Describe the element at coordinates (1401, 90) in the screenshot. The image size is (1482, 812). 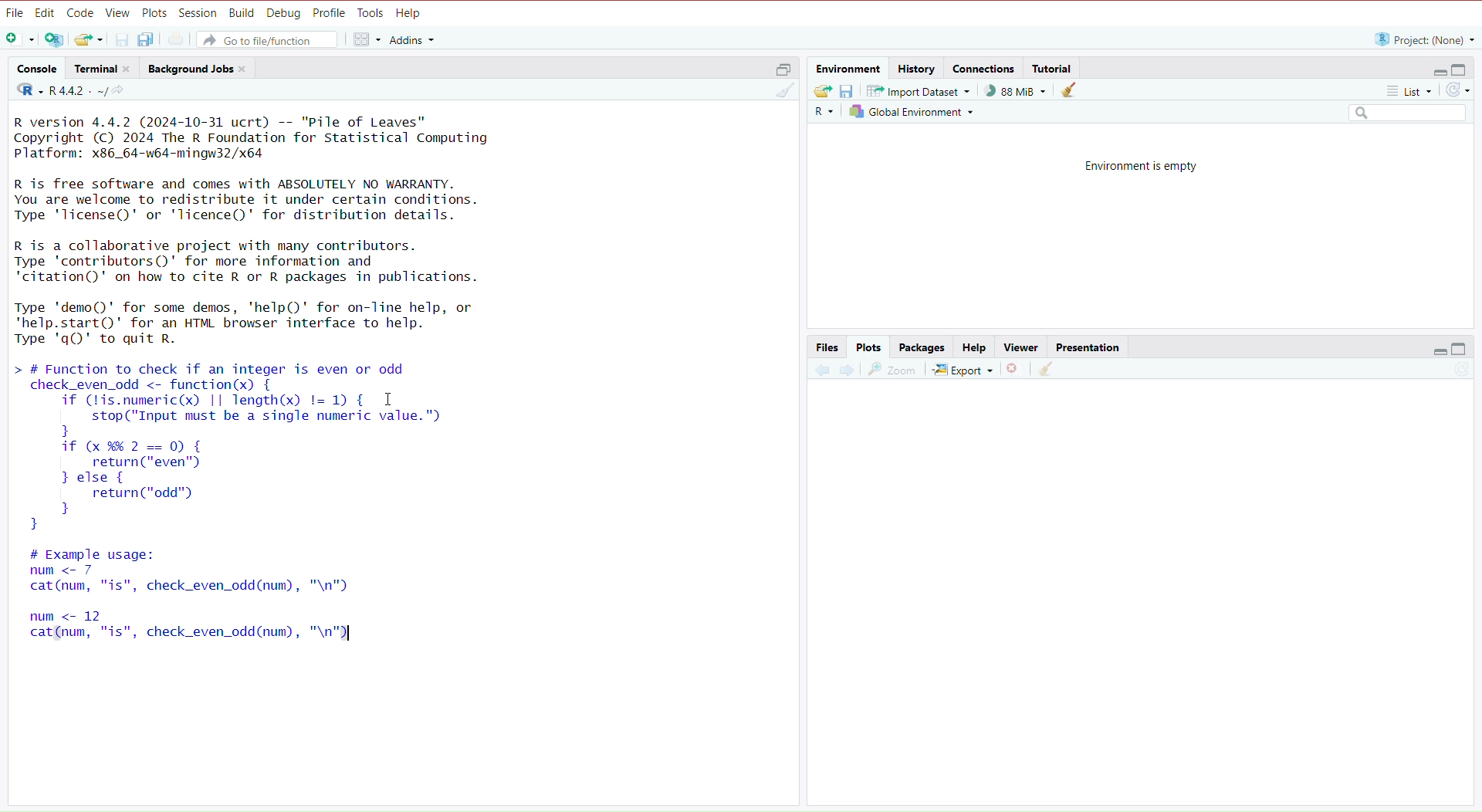
I see `list` at that location.